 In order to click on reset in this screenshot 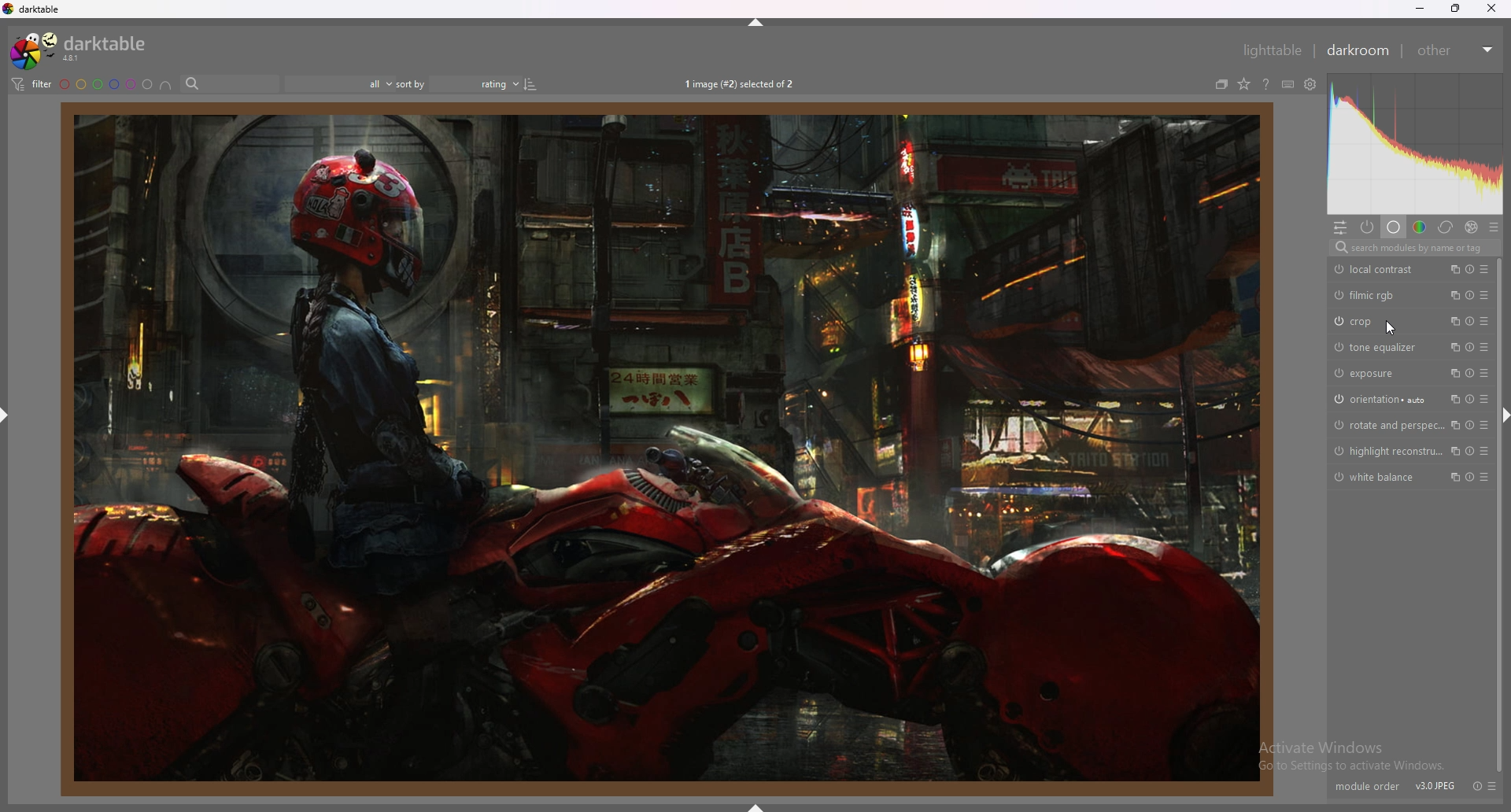, I will do `click(1471, 269)`.